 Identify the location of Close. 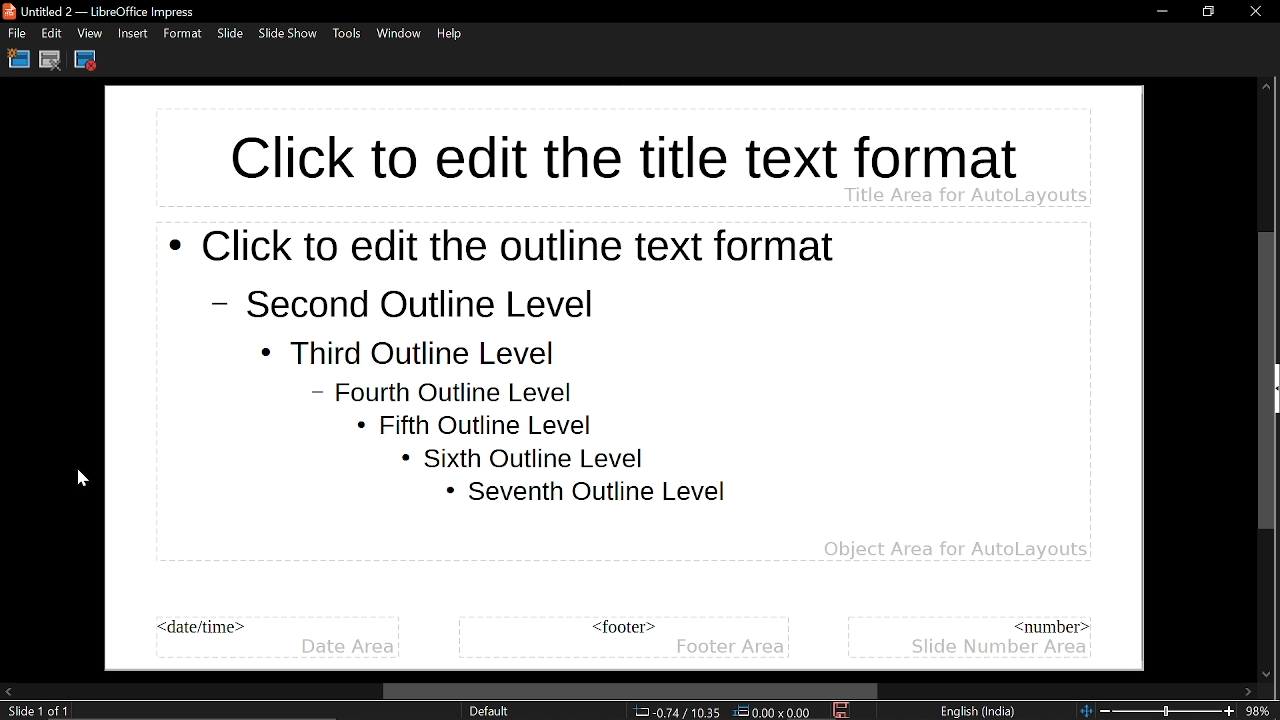
(1254, 11).